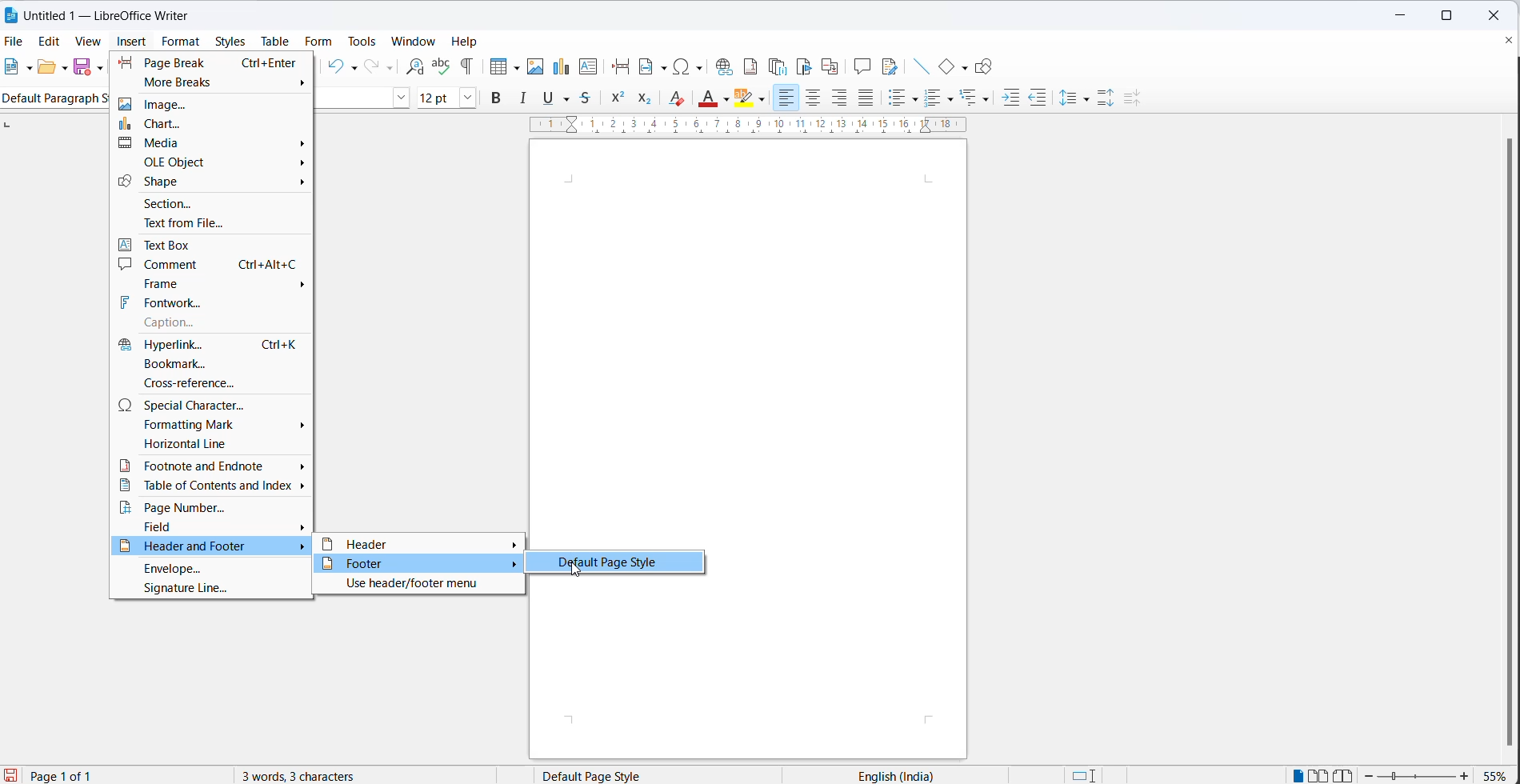 The width and height of the screenshot is (1520, 784). I want to click on zoom increase, so click(1467, 775).